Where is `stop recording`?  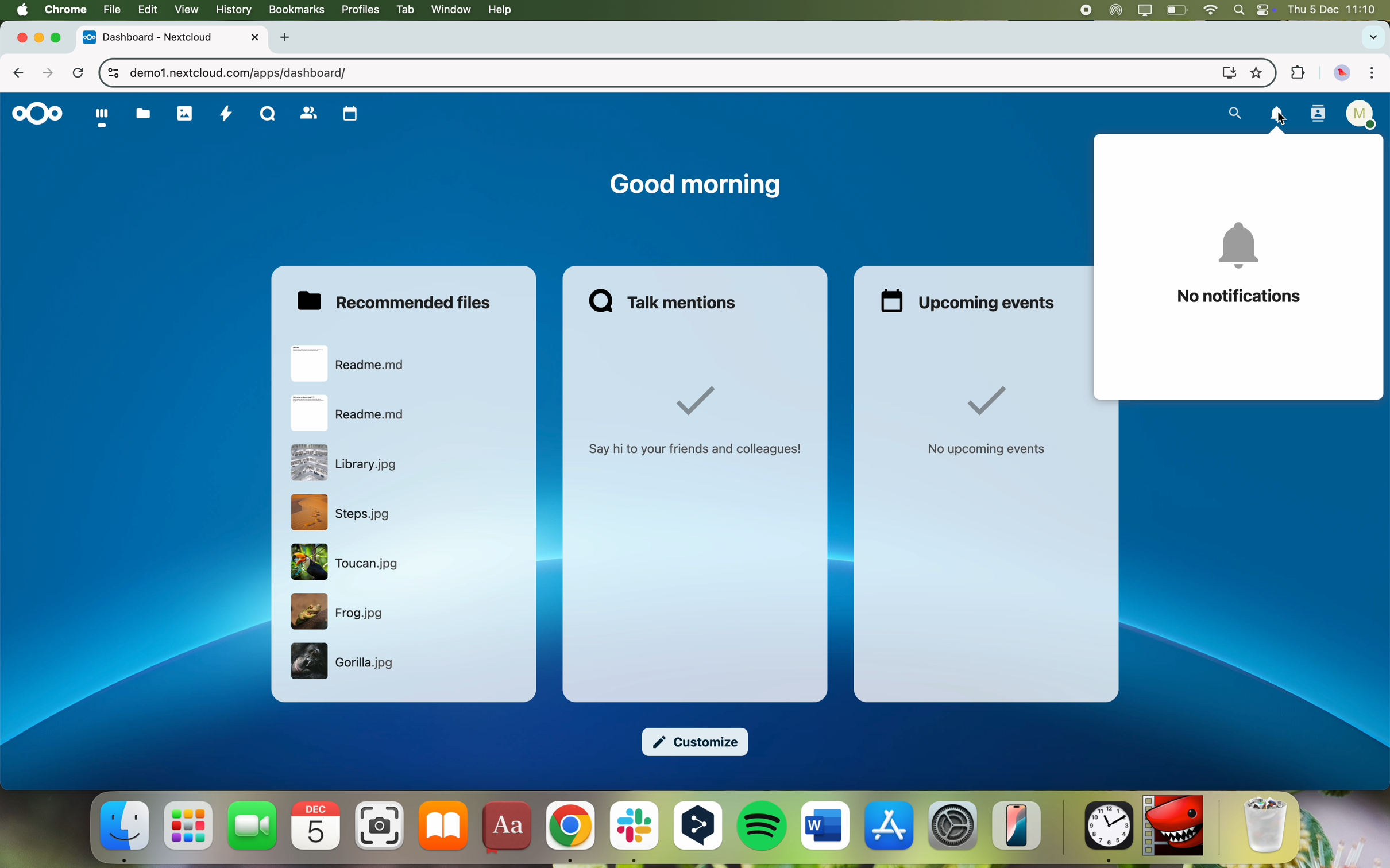
stop recording is located at coordinates (1077, 10).